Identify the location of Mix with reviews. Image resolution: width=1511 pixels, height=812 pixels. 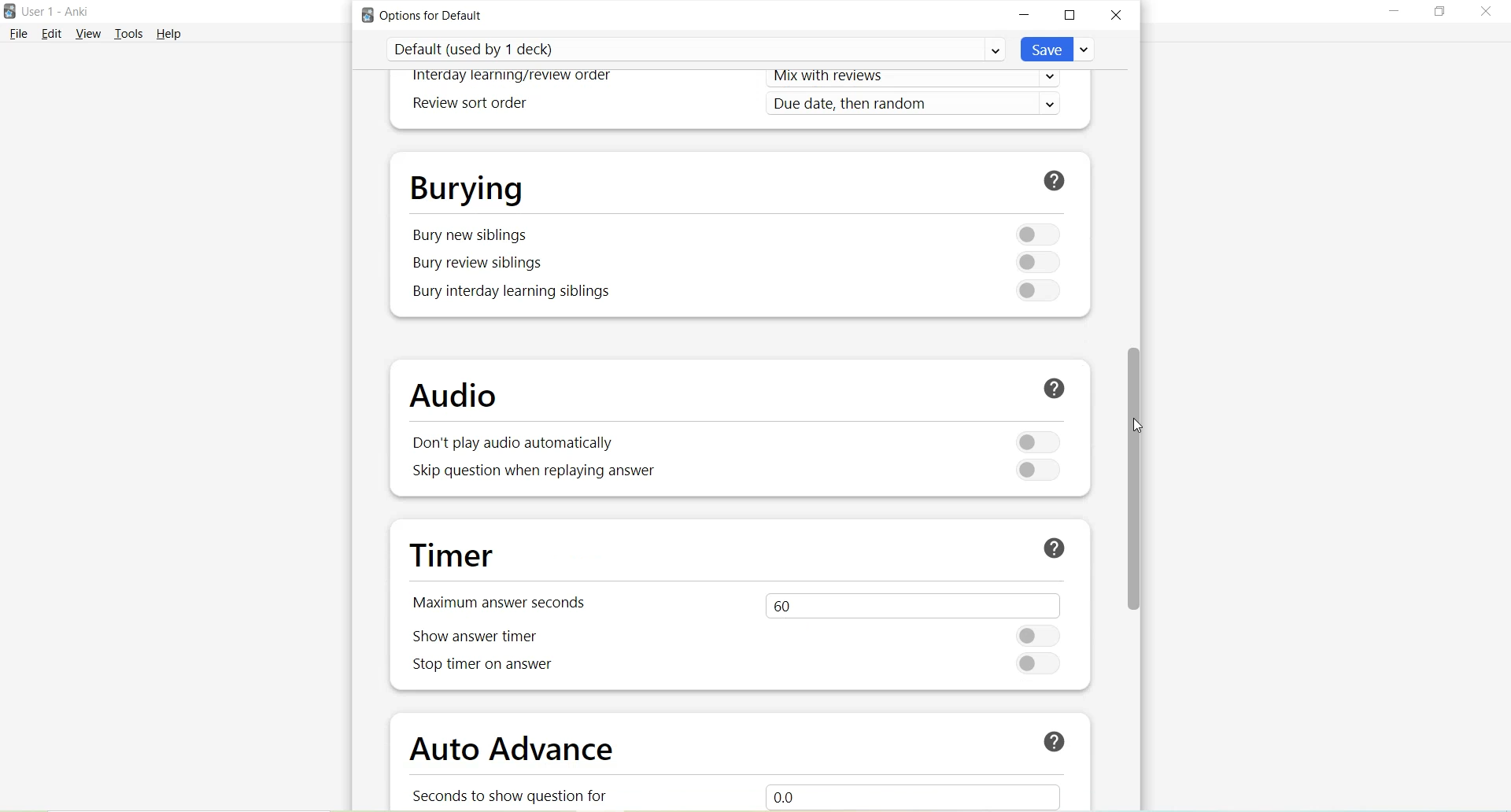
(919, 79).